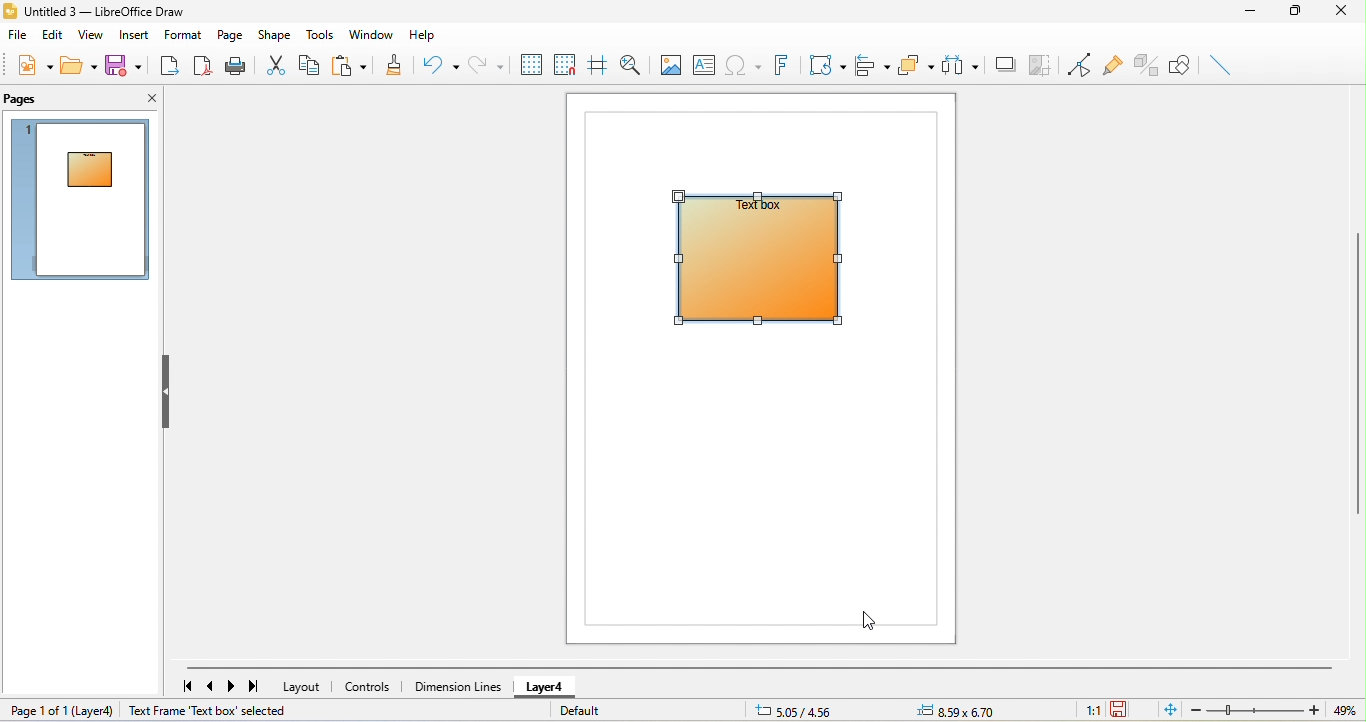  I want to click on object position-8.59X6.70, so click(967, 710).